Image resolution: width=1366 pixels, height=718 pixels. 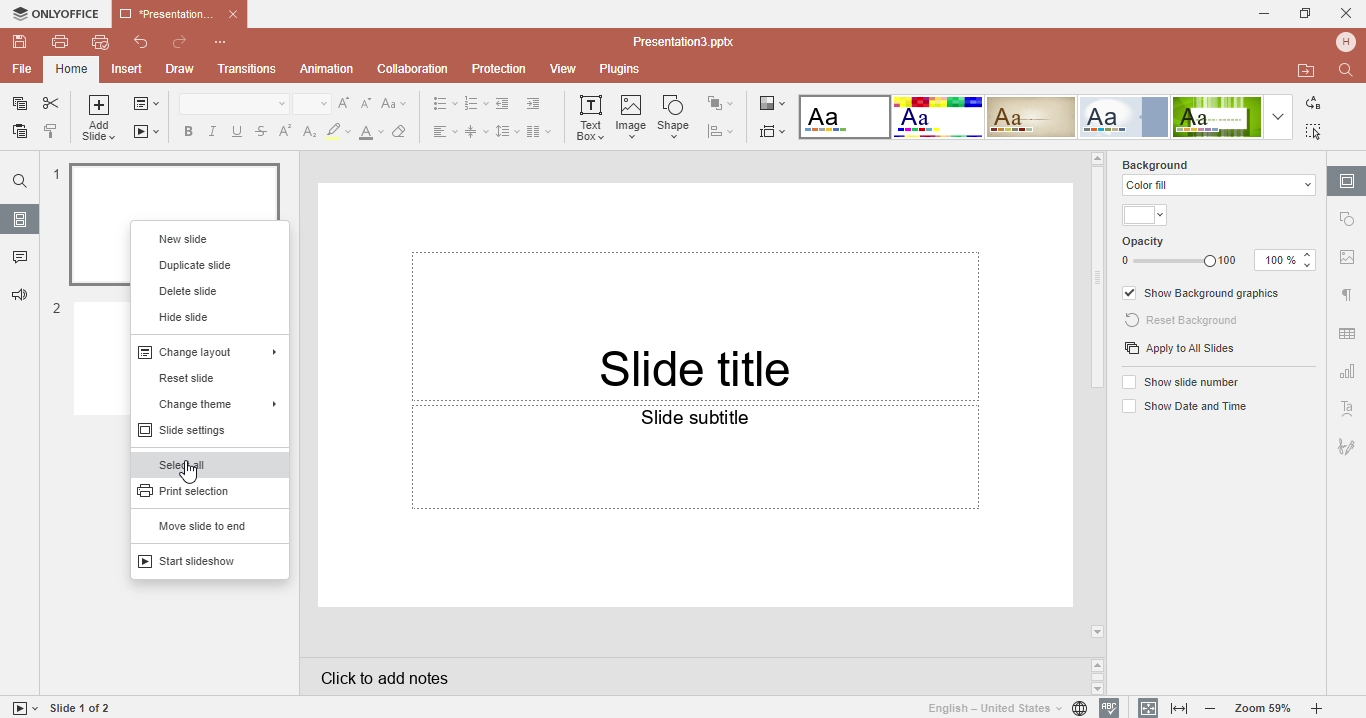 I want to click on Align shape, so click(x=725, y=131).